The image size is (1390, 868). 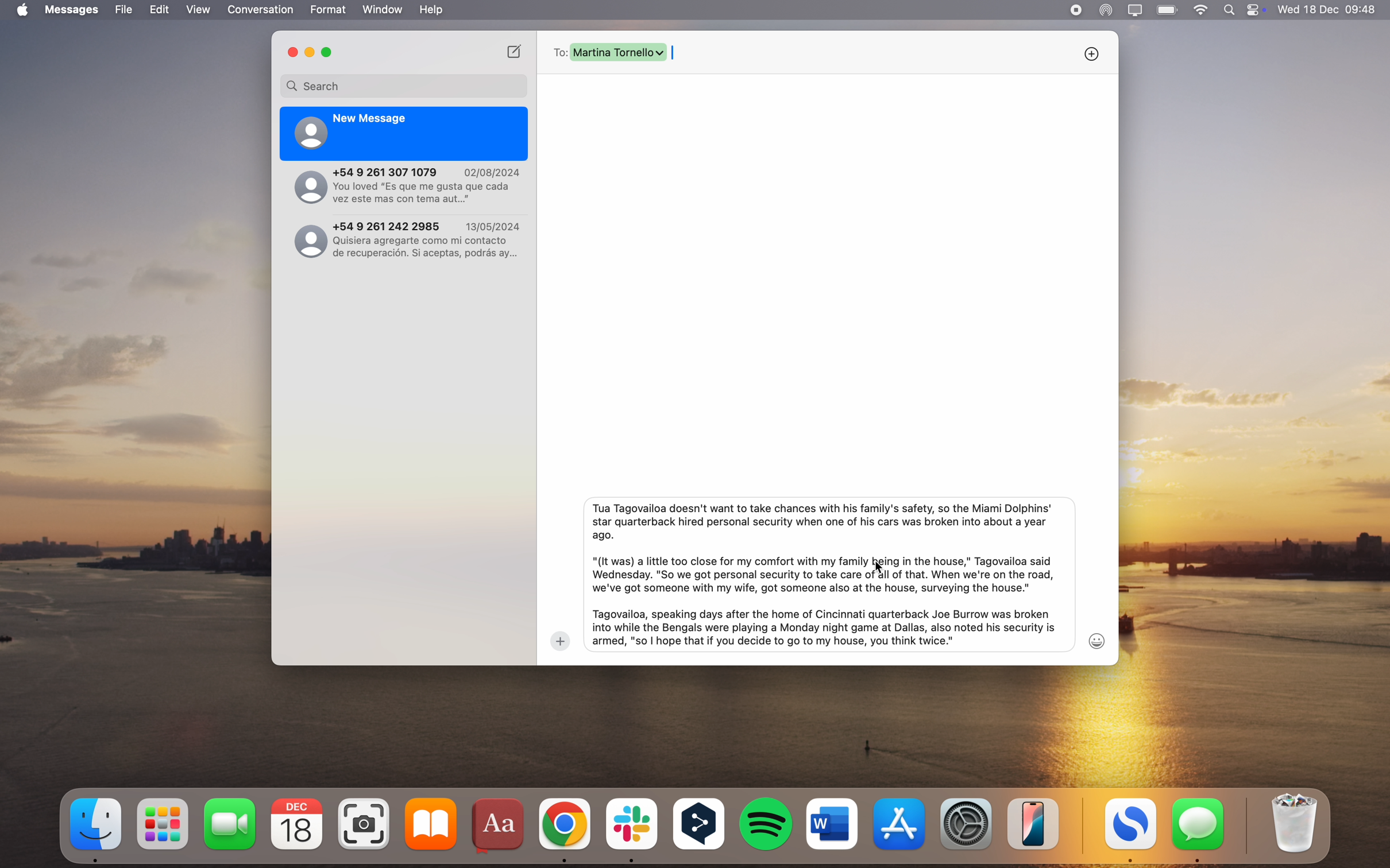 What do you see at coordinates (619, 52) in the screenshot?
I see `martina tornello` at bounding box center [619, 52].